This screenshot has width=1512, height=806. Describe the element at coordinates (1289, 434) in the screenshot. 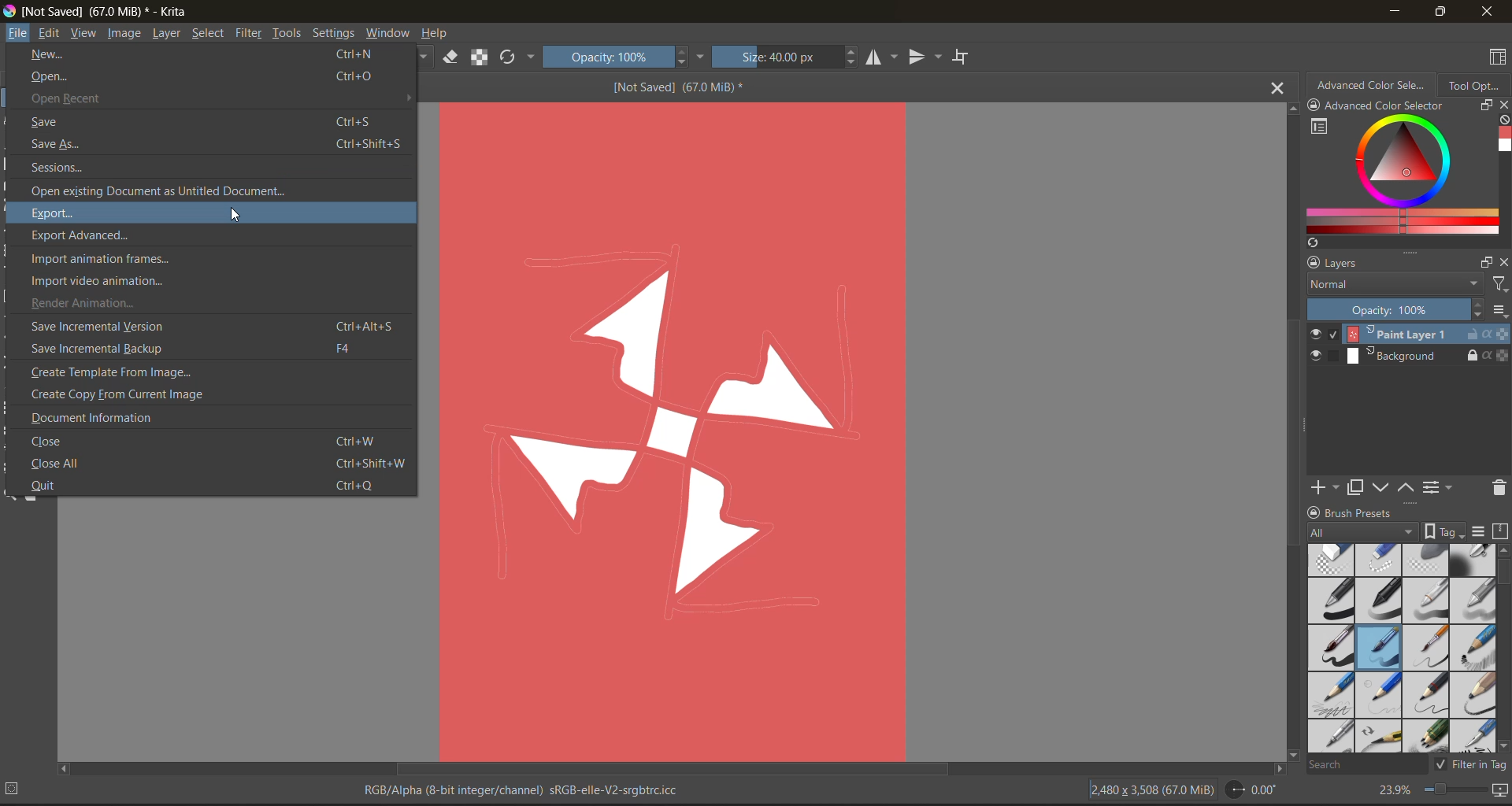

I see `vertical scroll bar` at that location.